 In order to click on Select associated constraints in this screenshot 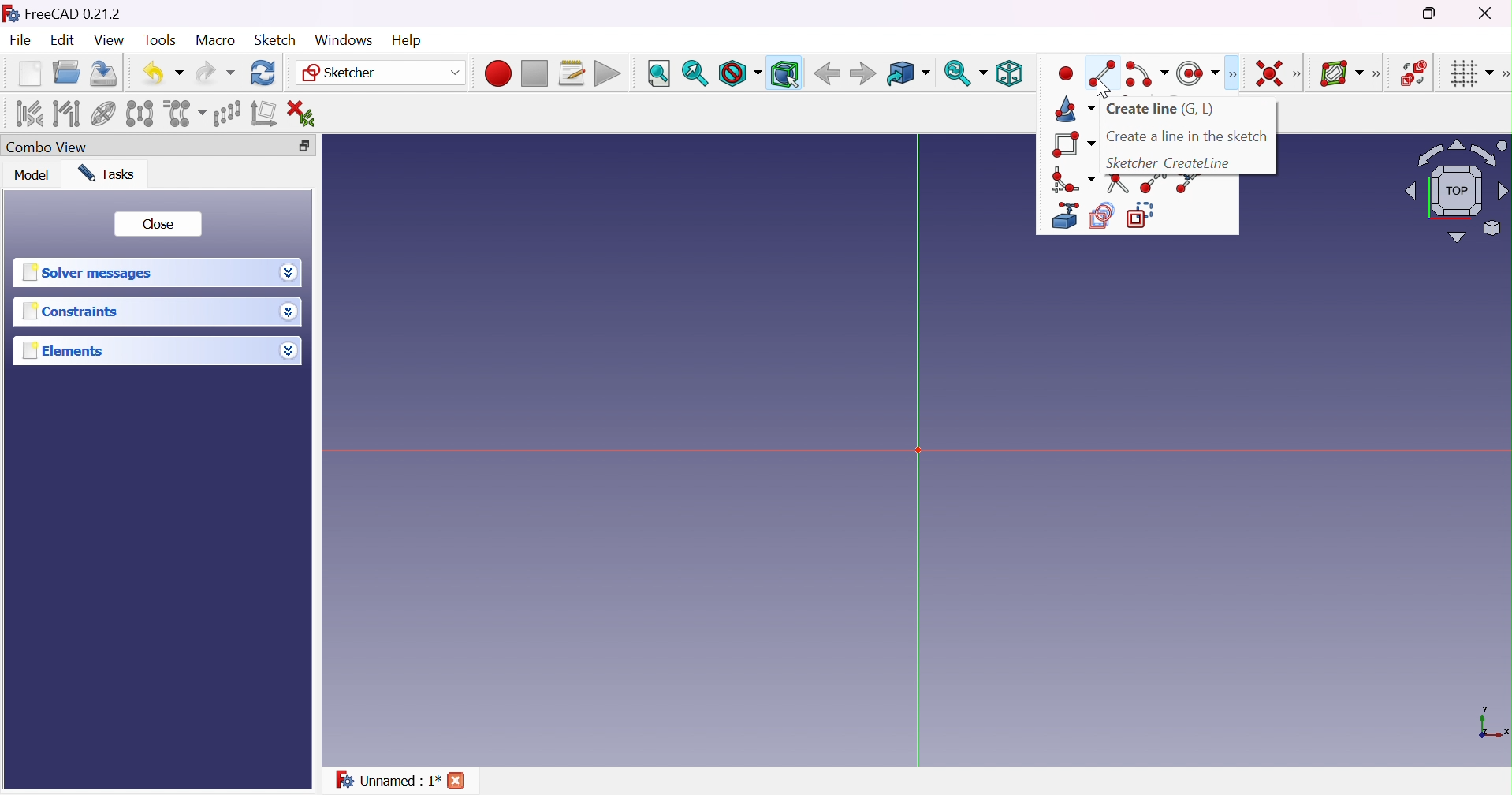, I will do `click(28, 114)`.